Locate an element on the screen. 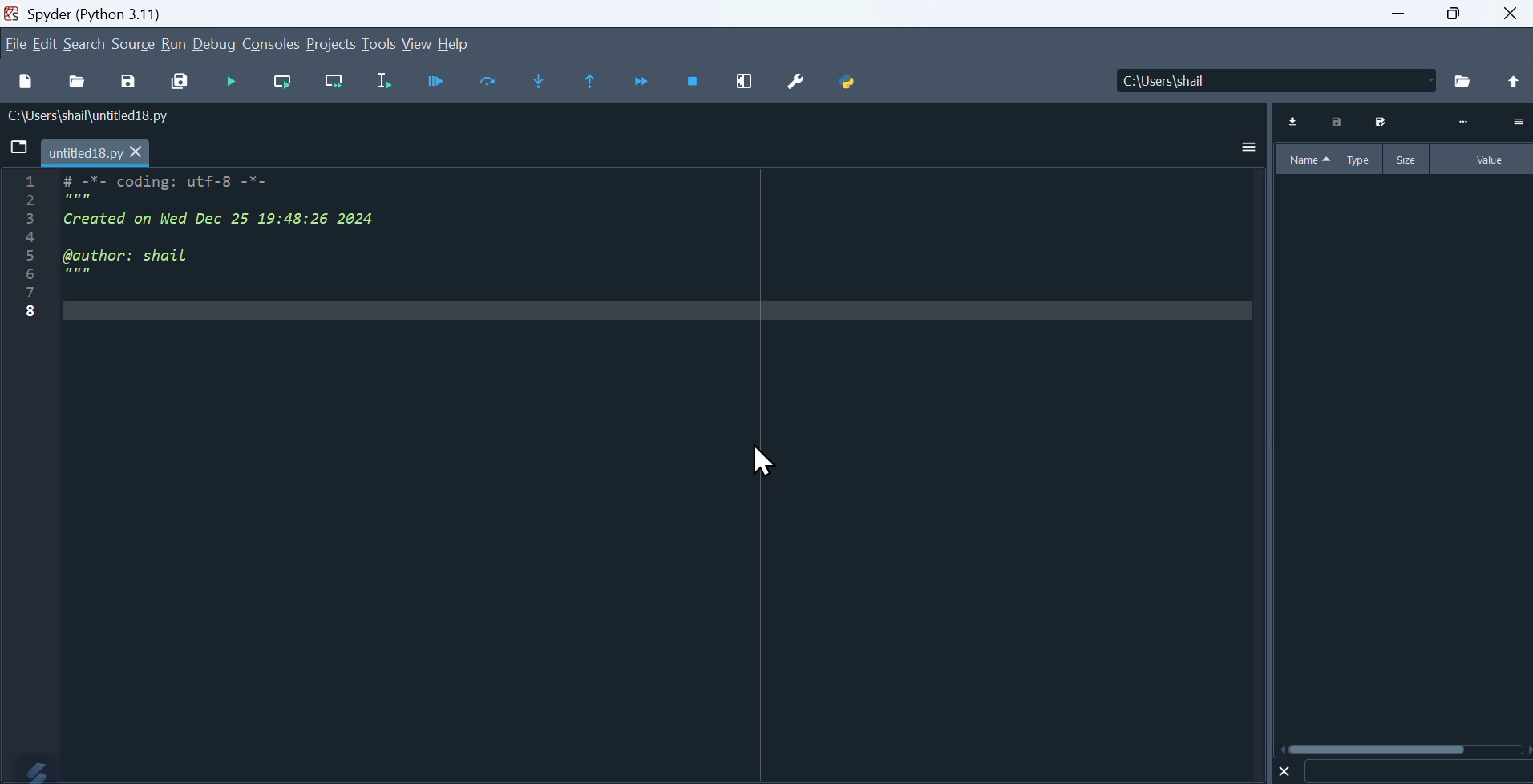 The image size is (1533, 784). Download is located at coordinates (1294, 122).